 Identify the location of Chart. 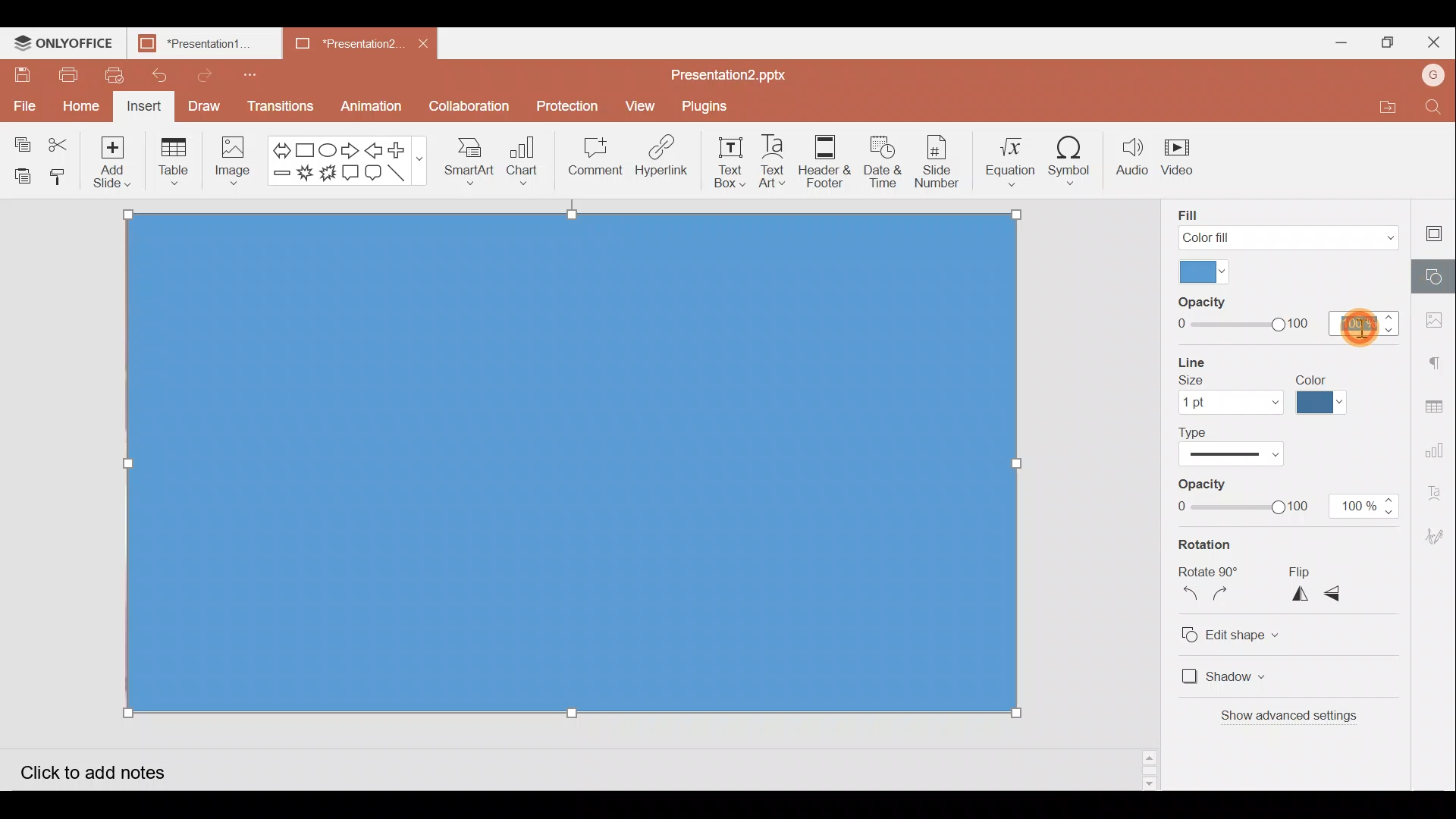
(520, 164).